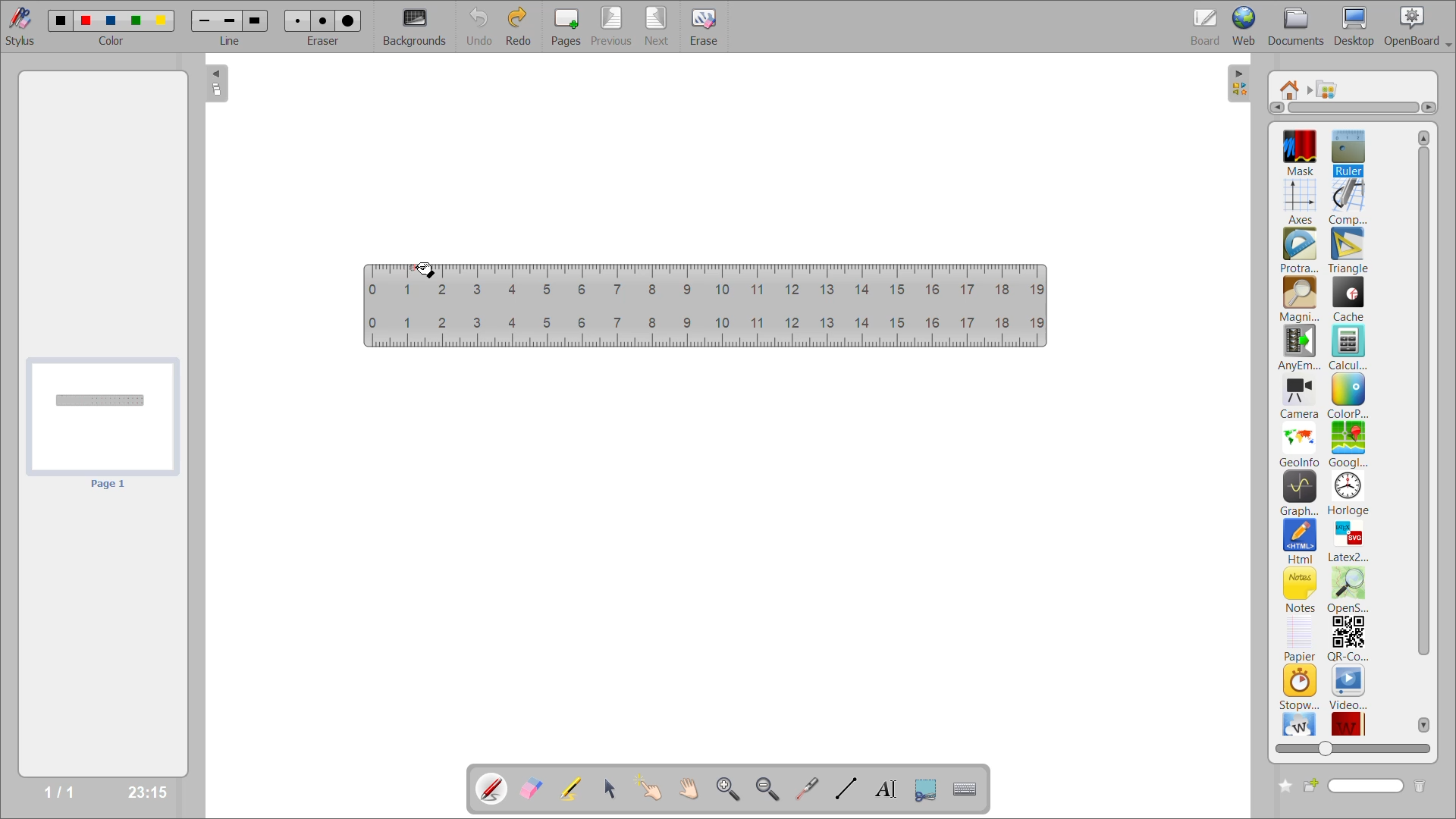 Image resolution: width=1456 pixels, height=819 pixels. What do you see at coordinates (576, 790) in the screenshot?
I see `highlight` at bounding box center [576, 790].